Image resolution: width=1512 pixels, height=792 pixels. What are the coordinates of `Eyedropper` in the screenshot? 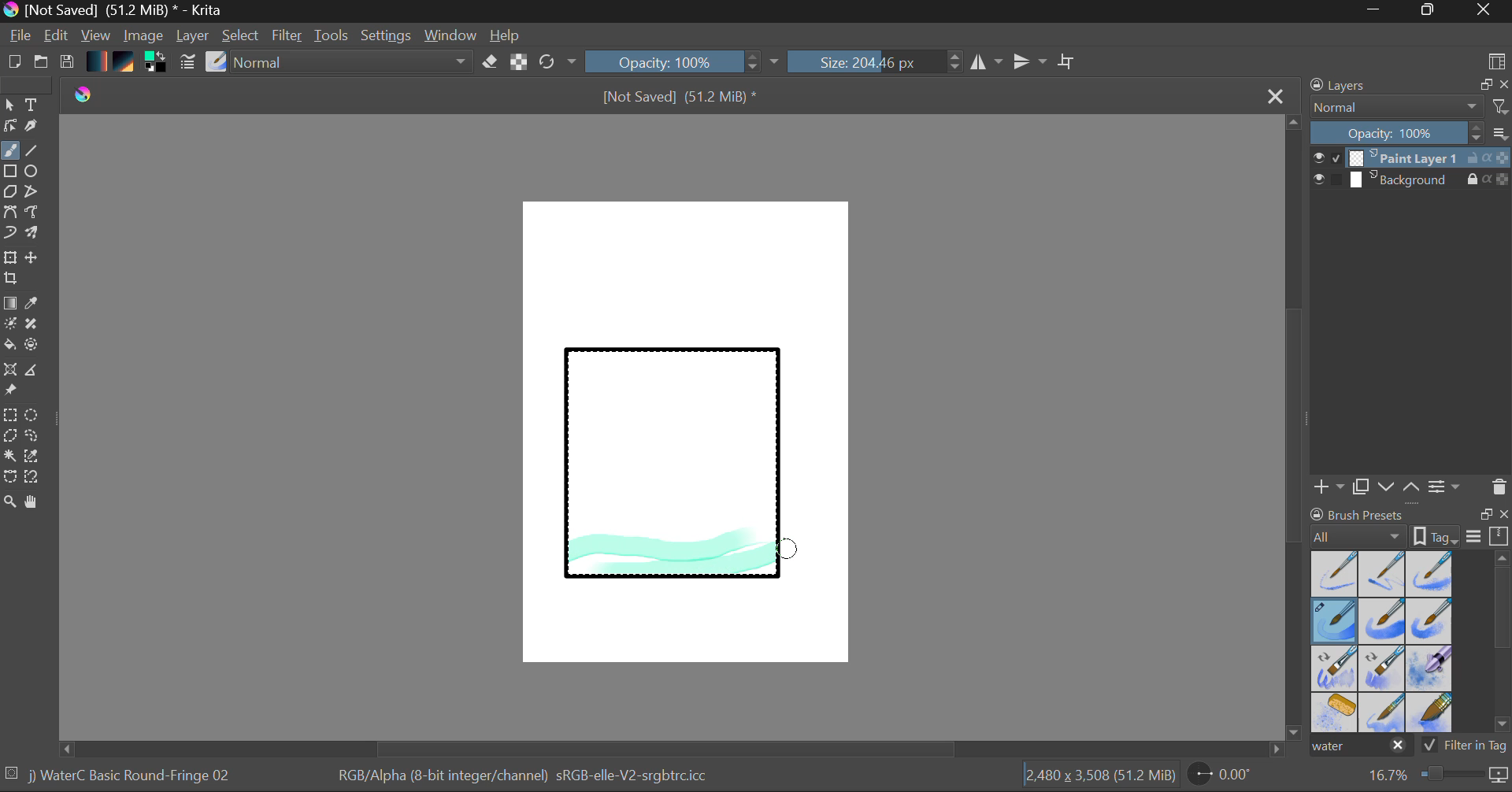 It's located at (35, 304).